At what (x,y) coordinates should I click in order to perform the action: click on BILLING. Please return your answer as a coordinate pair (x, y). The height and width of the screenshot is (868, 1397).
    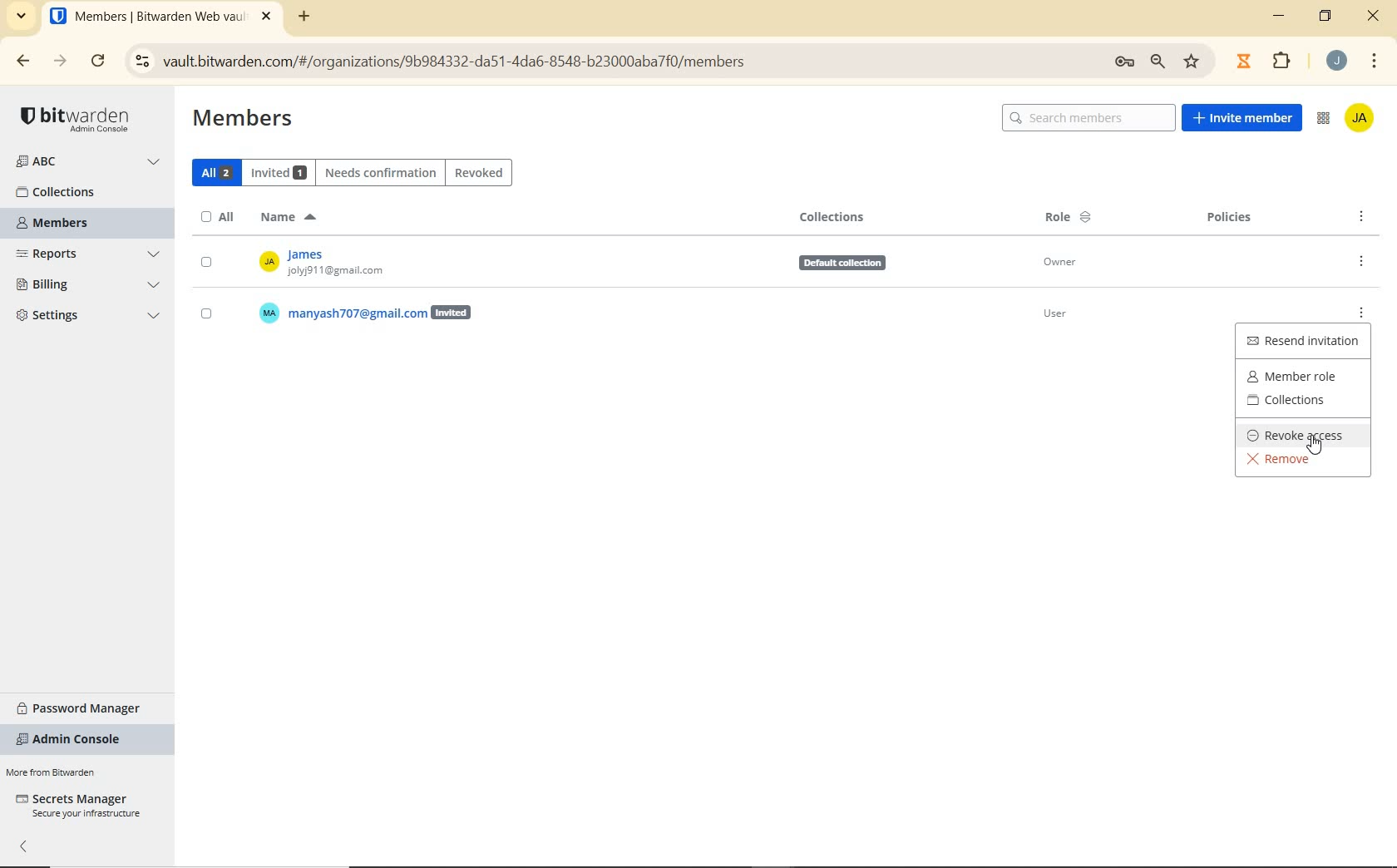
    Looking at the image, I should click on (89, 286).